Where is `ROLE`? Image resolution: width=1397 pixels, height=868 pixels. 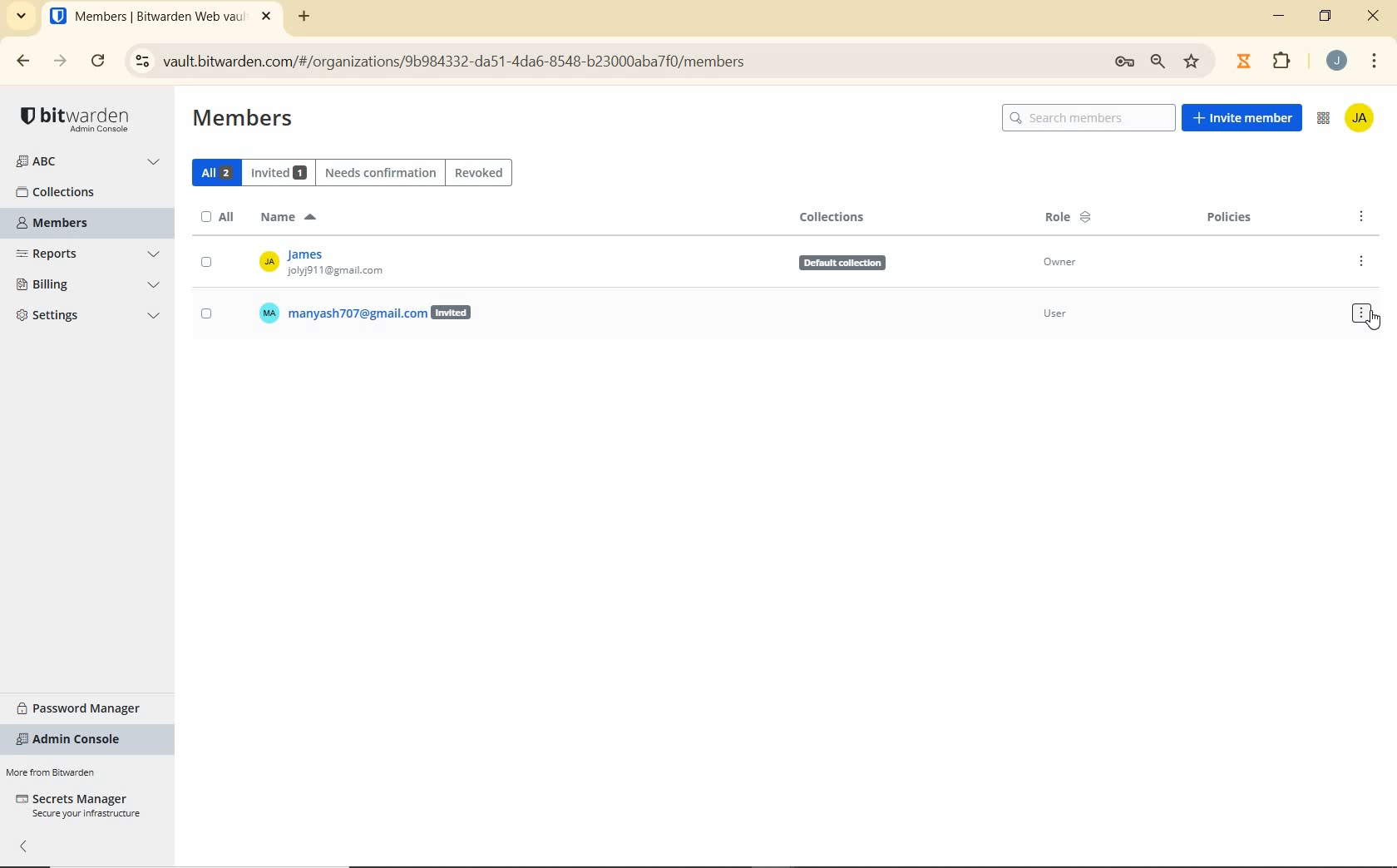 ROLE is located at coordinates (1069, 219).